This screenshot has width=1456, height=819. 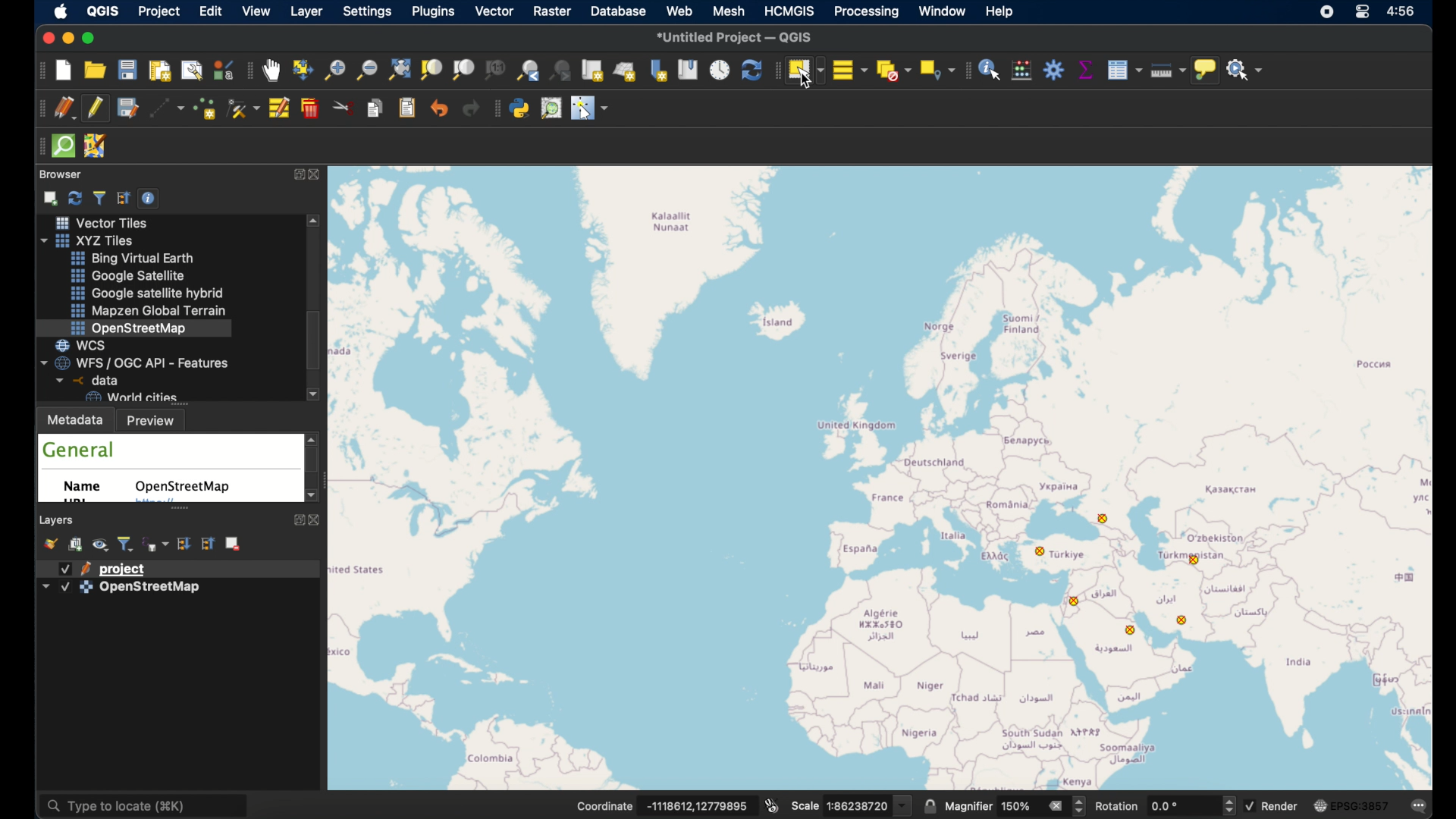 I want to click on metadata, so click(x=76, y=419).